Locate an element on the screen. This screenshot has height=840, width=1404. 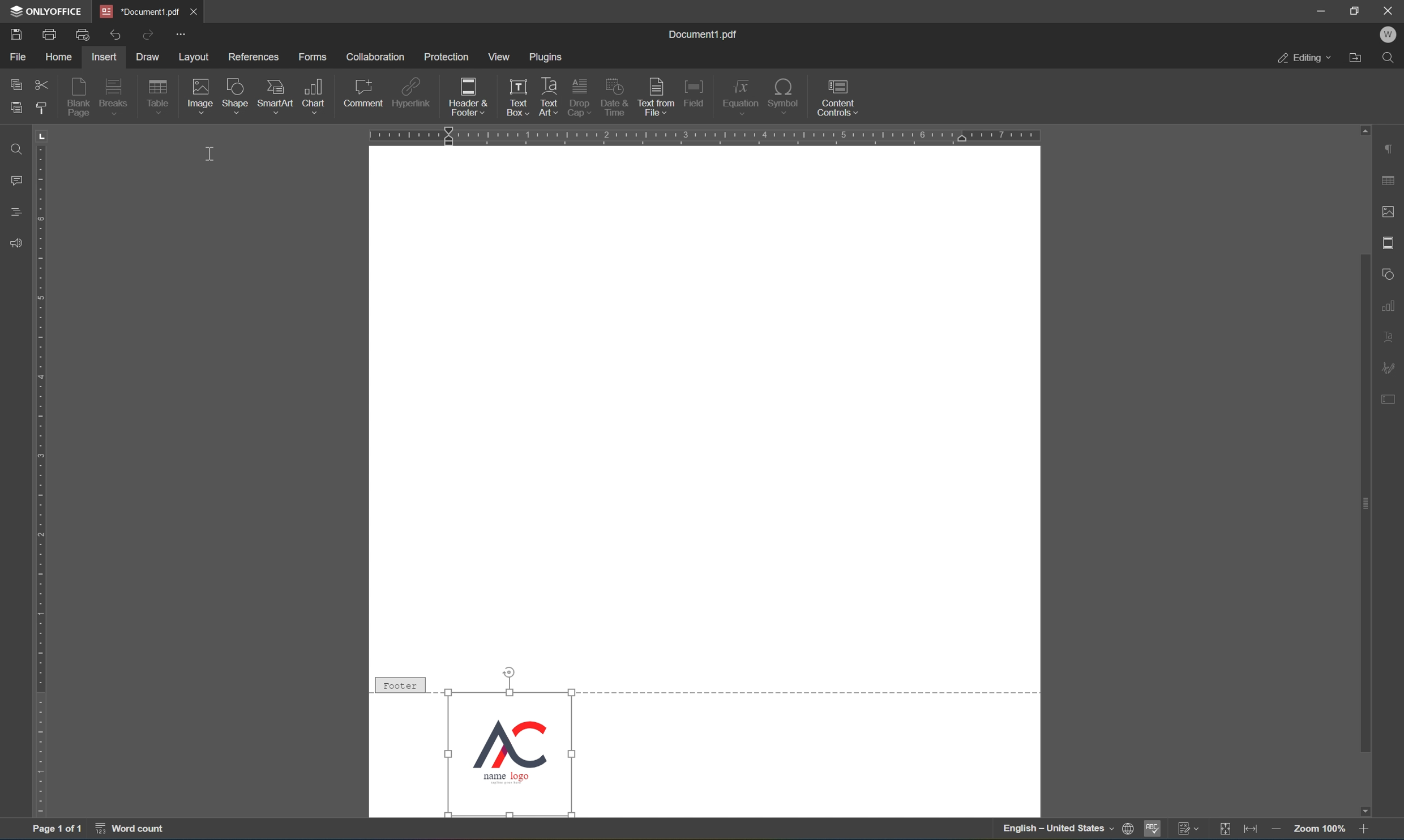
date and time is located at coordinates (616, 97).